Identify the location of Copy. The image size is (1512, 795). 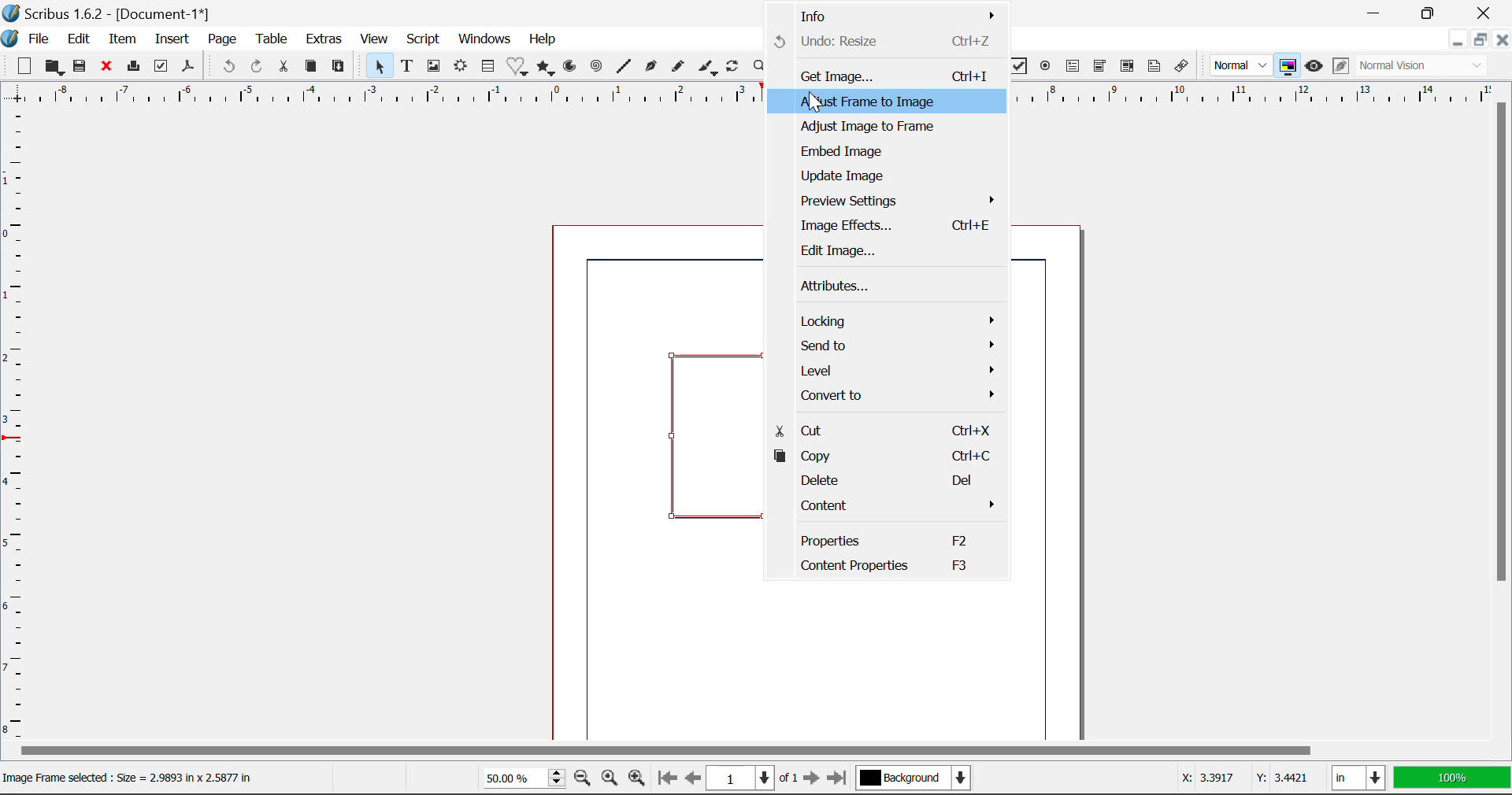
(310, 67).